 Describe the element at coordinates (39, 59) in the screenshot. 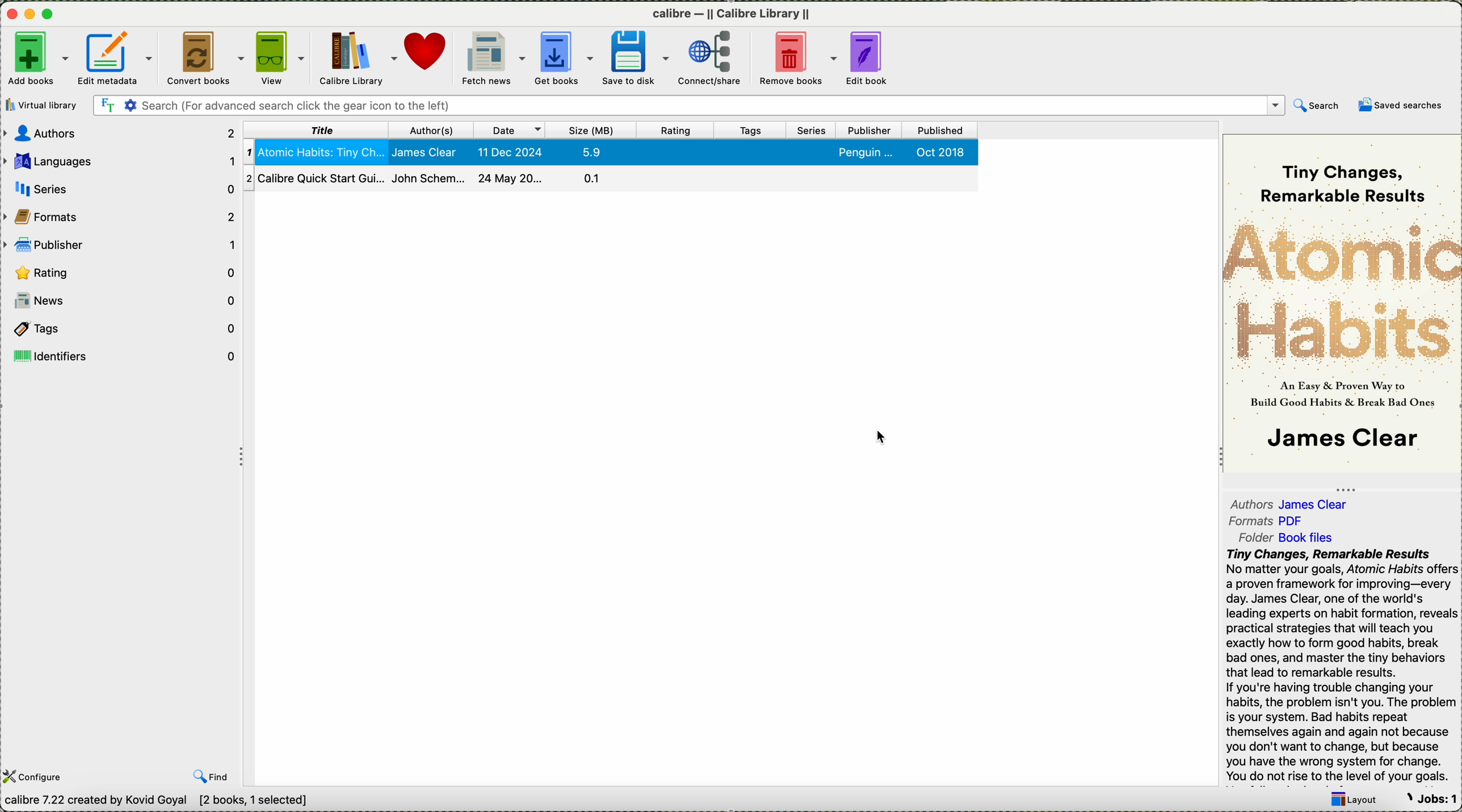

I see `add boks` at that location.